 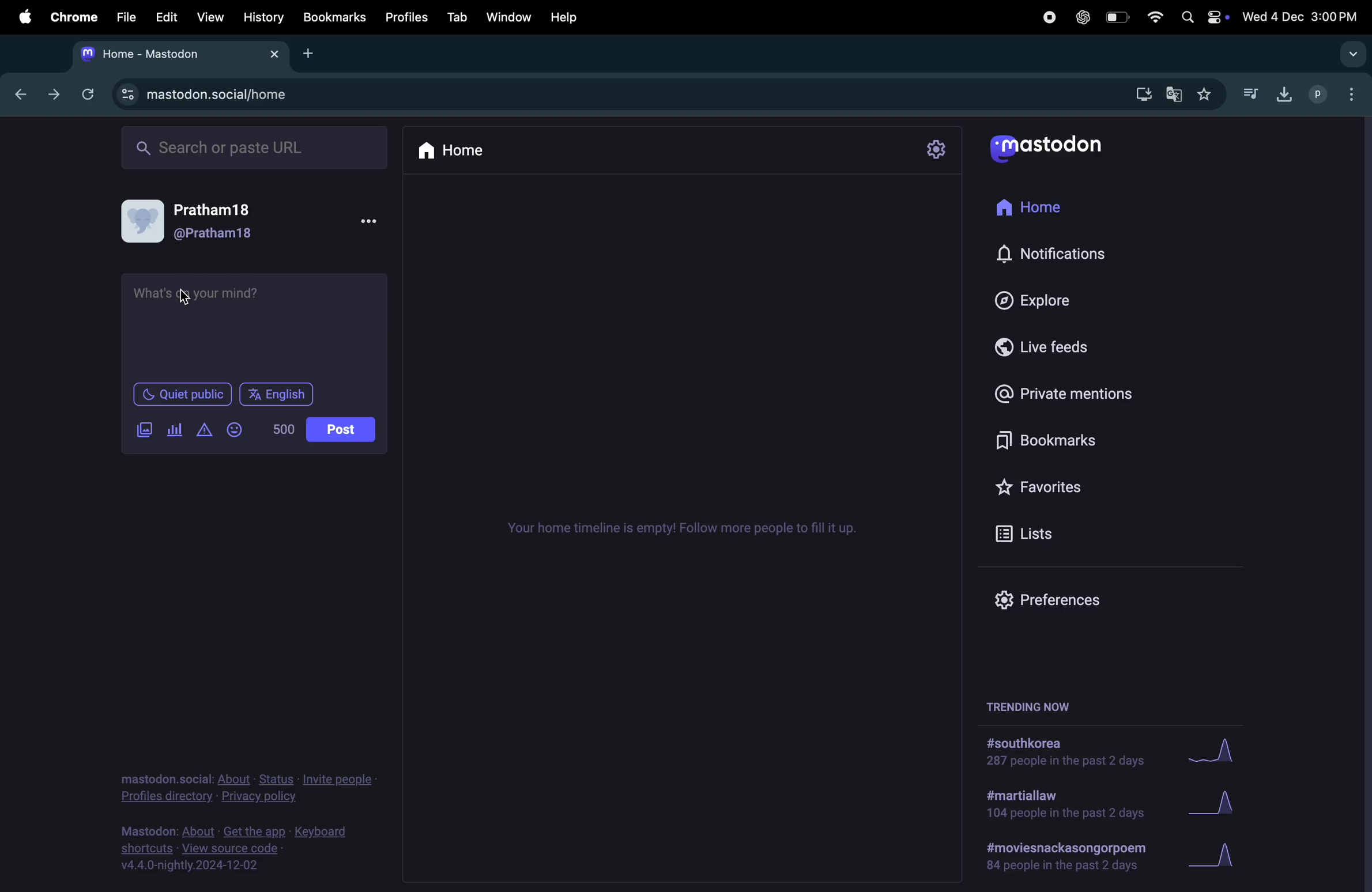 What do you see at coordinates (189, 300) in the screenshot?
I see `cursor` at bounding box center [189, 300].